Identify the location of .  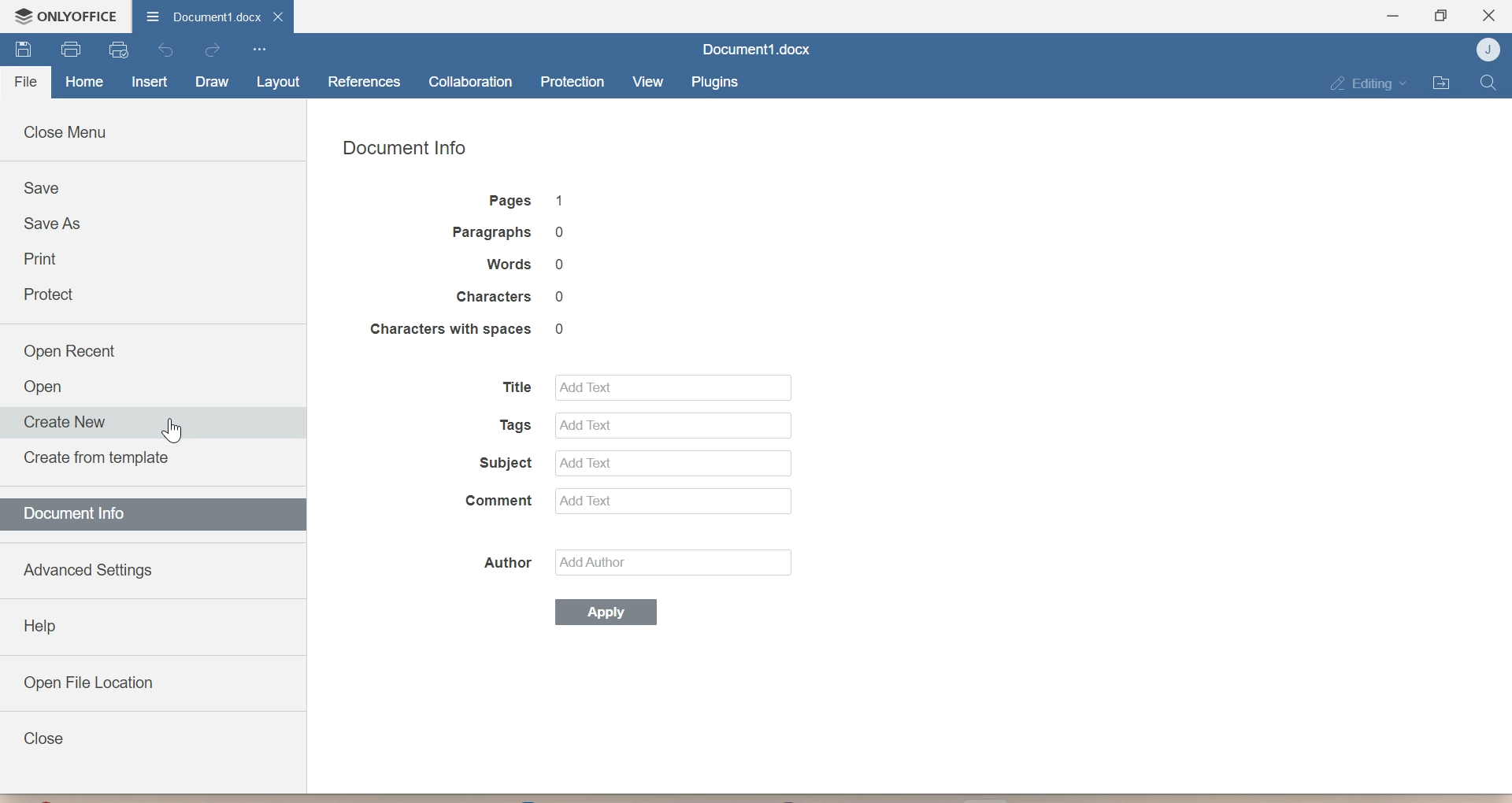
(198, 17).